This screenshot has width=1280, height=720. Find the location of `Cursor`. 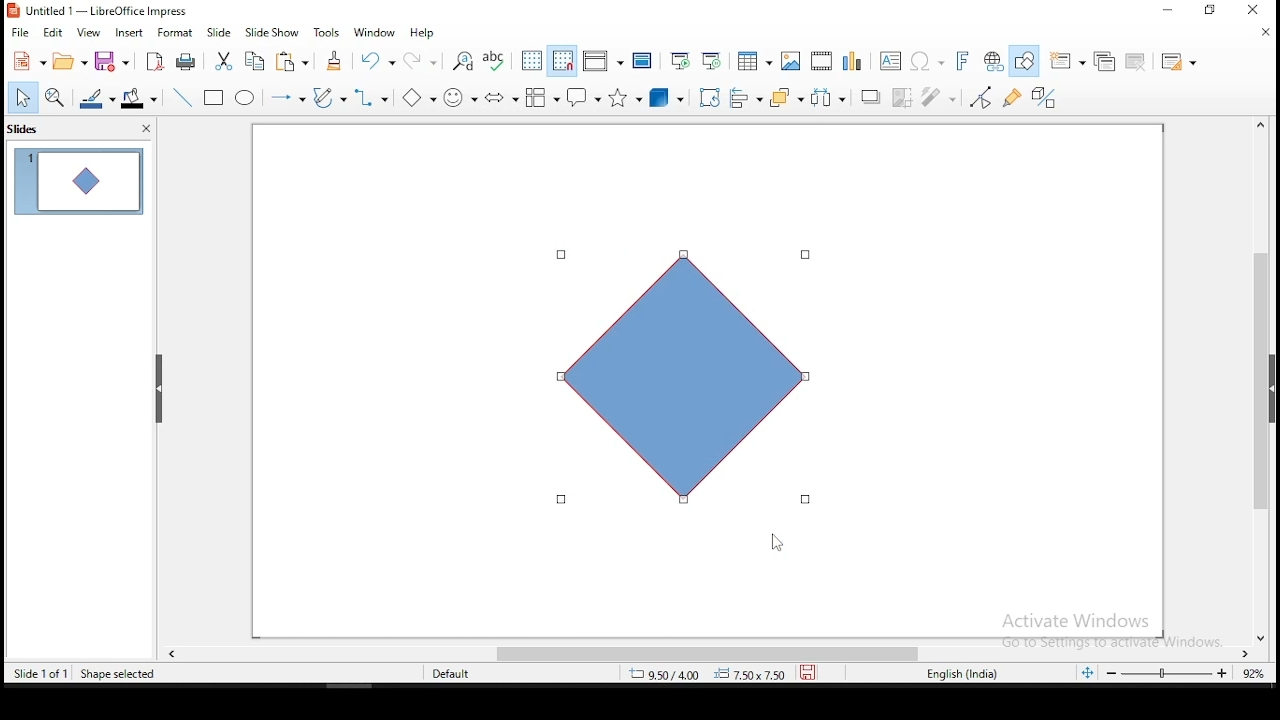

Cursor is located at coordinates (776, 543).